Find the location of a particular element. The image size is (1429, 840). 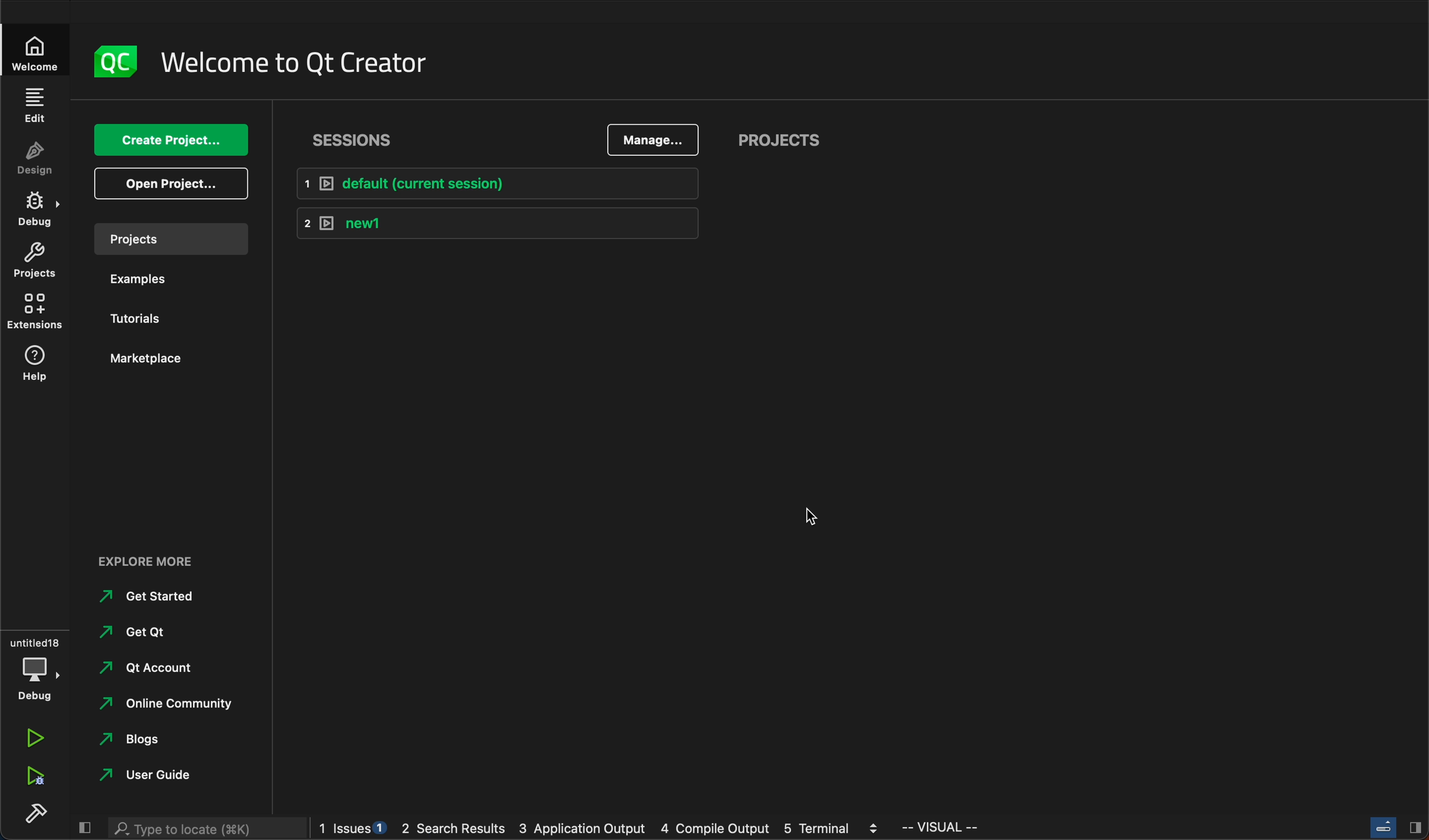

create project is located at coordinates (171, 138).